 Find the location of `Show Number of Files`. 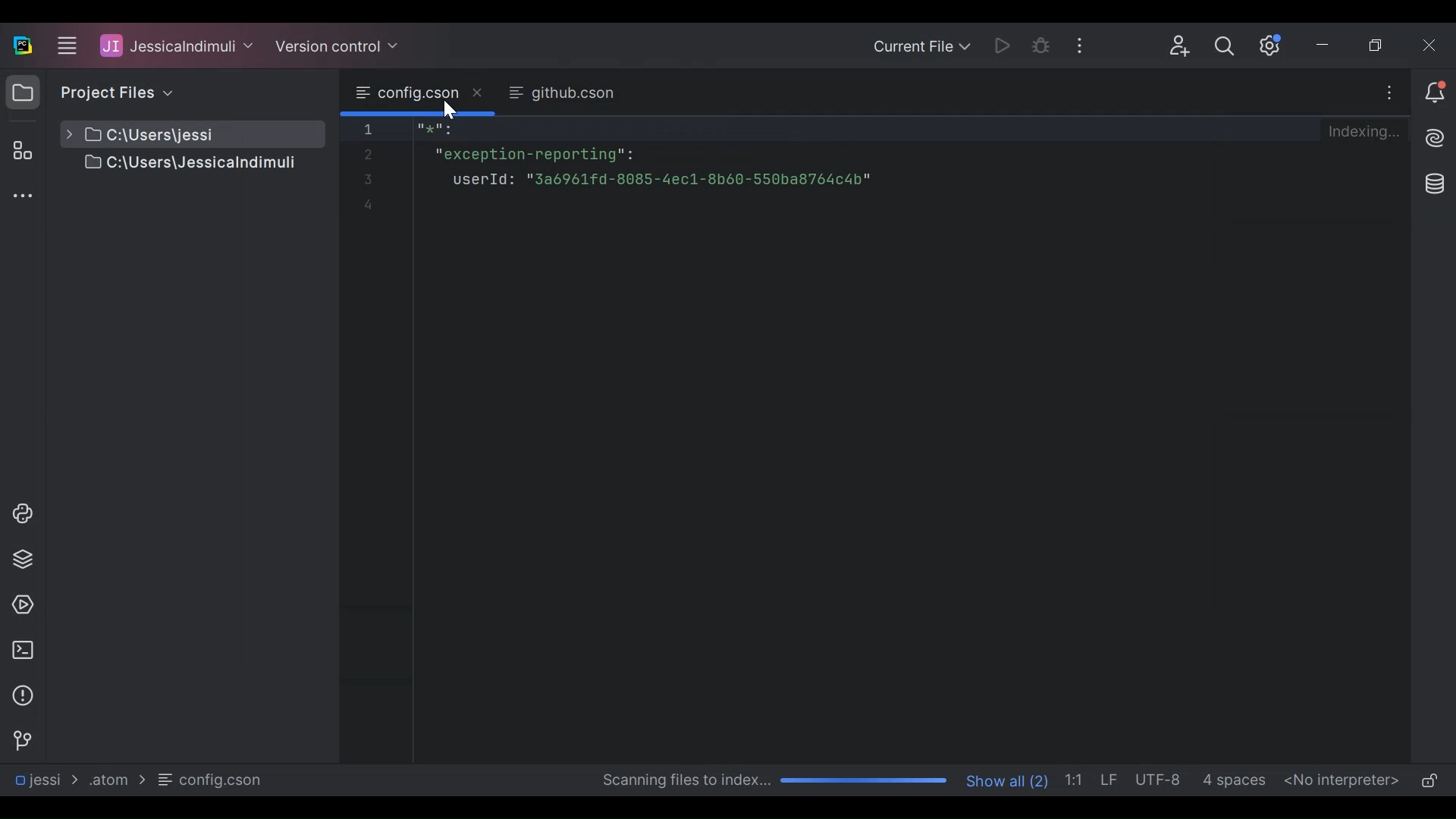

Show Number of Files is located at coordinates (1009, 779).